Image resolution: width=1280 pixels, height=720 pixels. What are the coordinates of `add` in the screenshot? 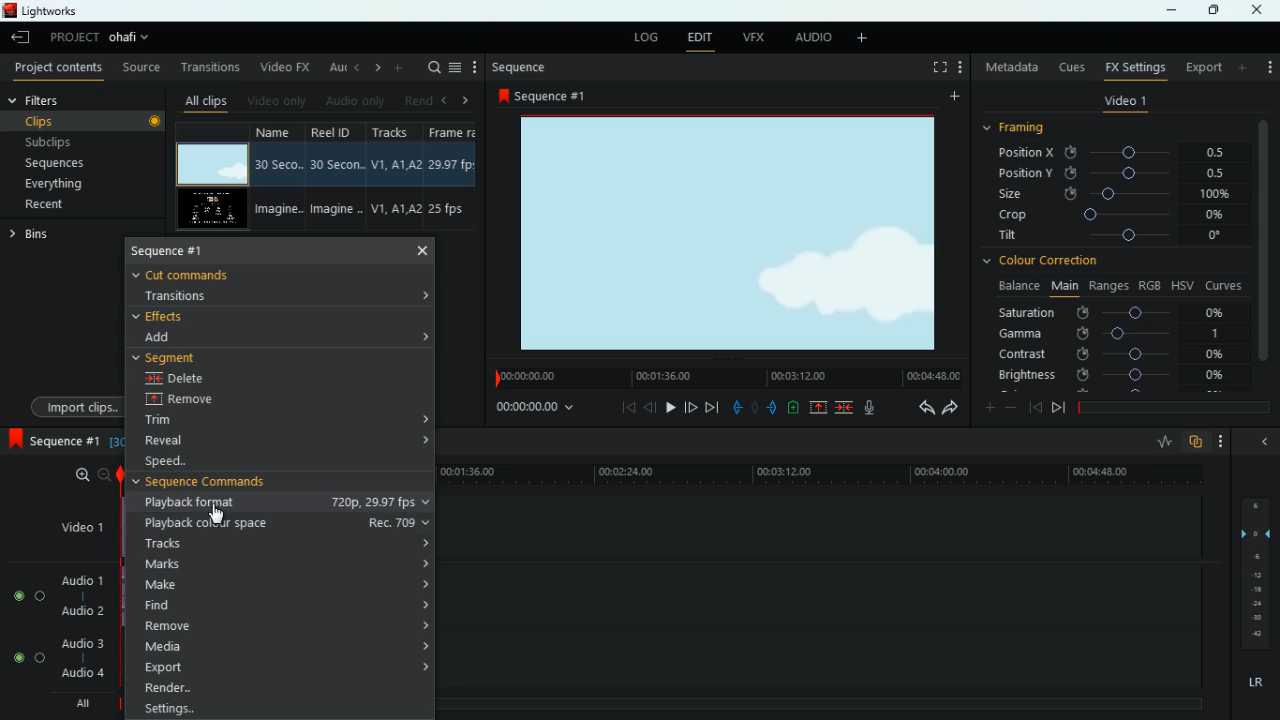 It's located at (1245, 67).